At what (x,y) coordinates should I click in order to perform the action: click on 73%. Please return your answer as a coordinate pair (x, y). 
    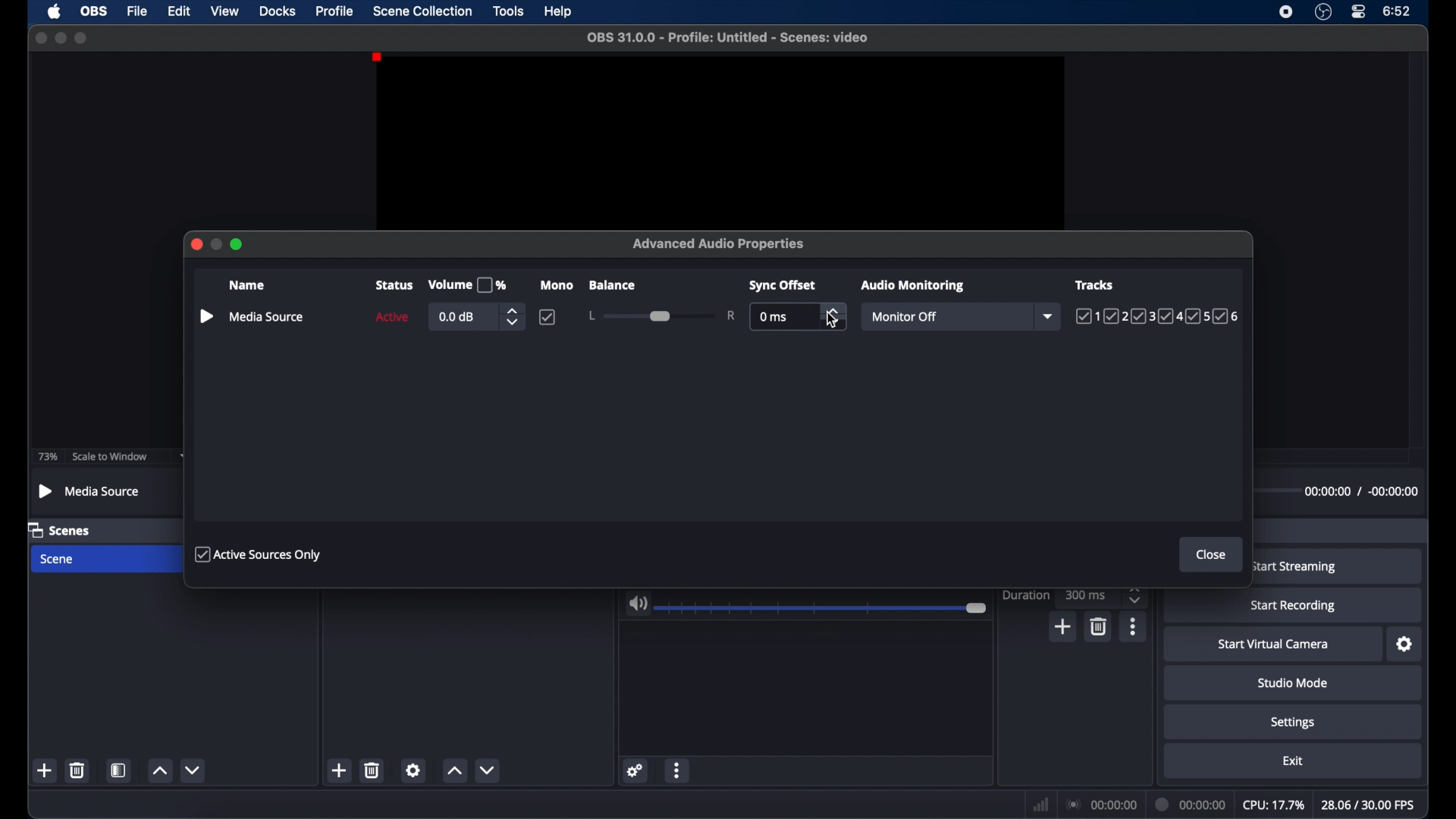
    Looking at the image, I should click on (49, 456).